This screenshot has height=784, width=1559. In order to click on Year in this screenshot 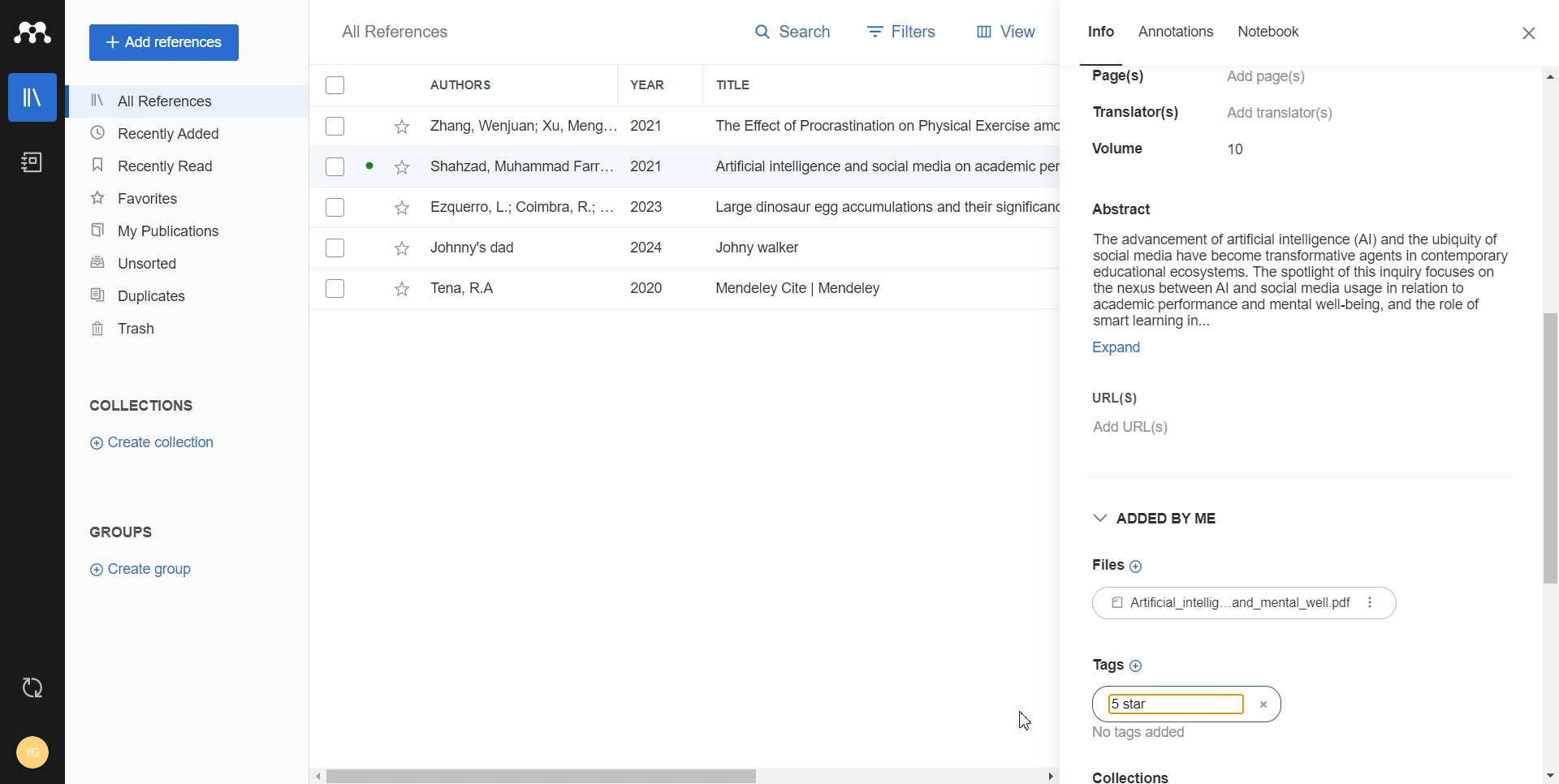, I will do `click(661, 85)`.